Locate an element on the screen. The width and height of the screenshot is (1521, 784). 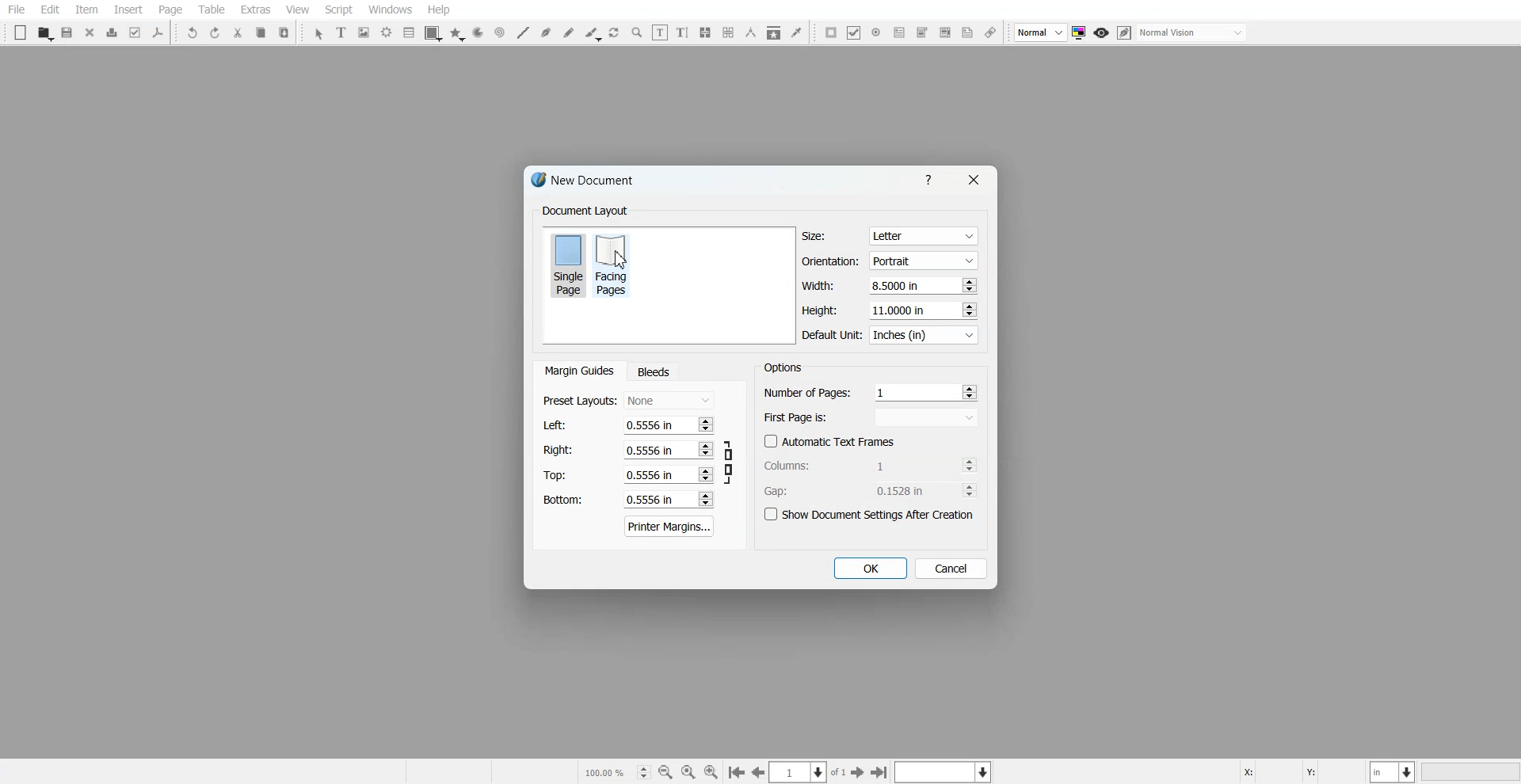
8.5000 in is located at coordinates (898, 285).